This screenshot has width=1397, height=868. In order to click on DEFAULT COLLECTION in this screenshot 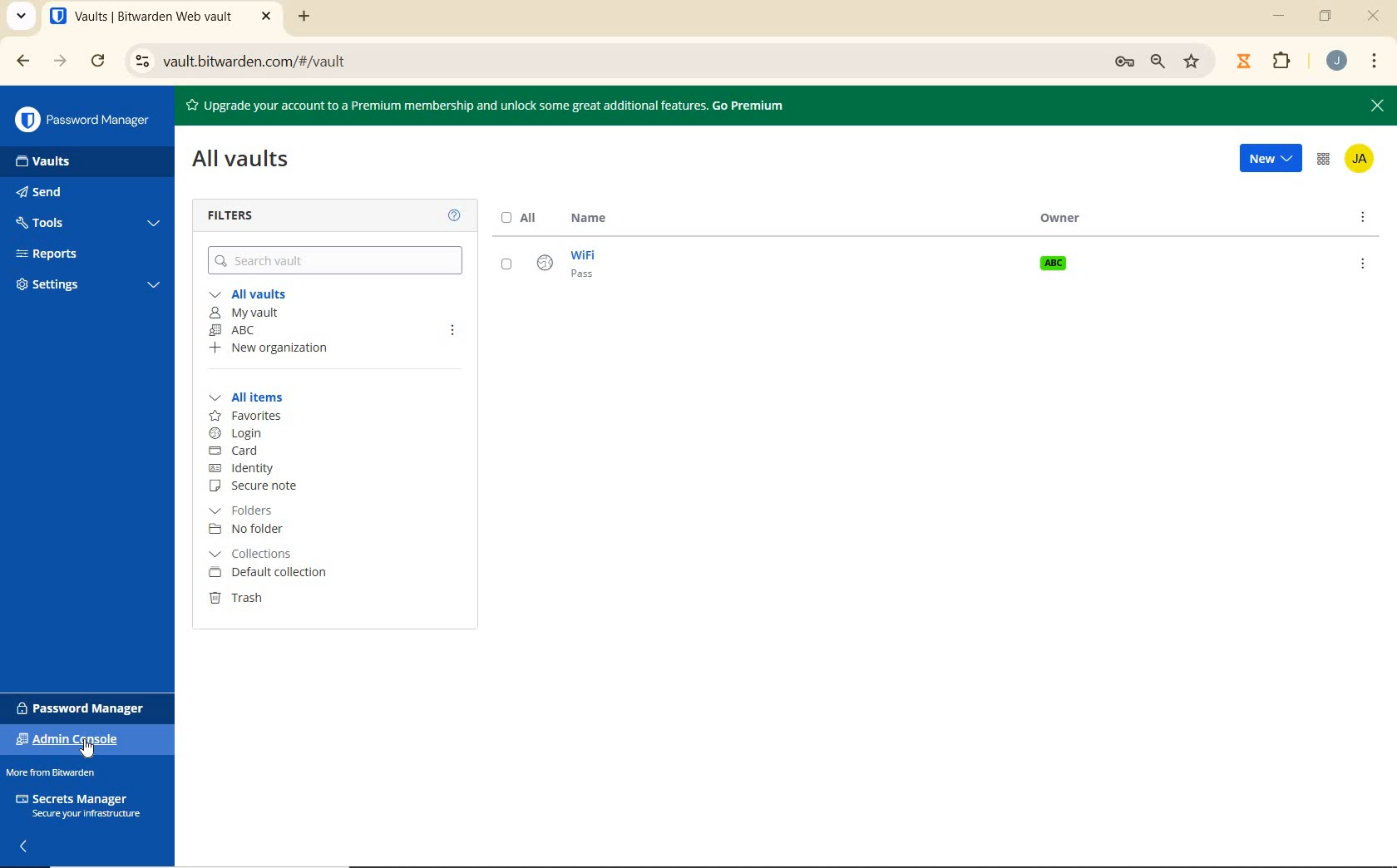, I will do `click(266, 575)`.